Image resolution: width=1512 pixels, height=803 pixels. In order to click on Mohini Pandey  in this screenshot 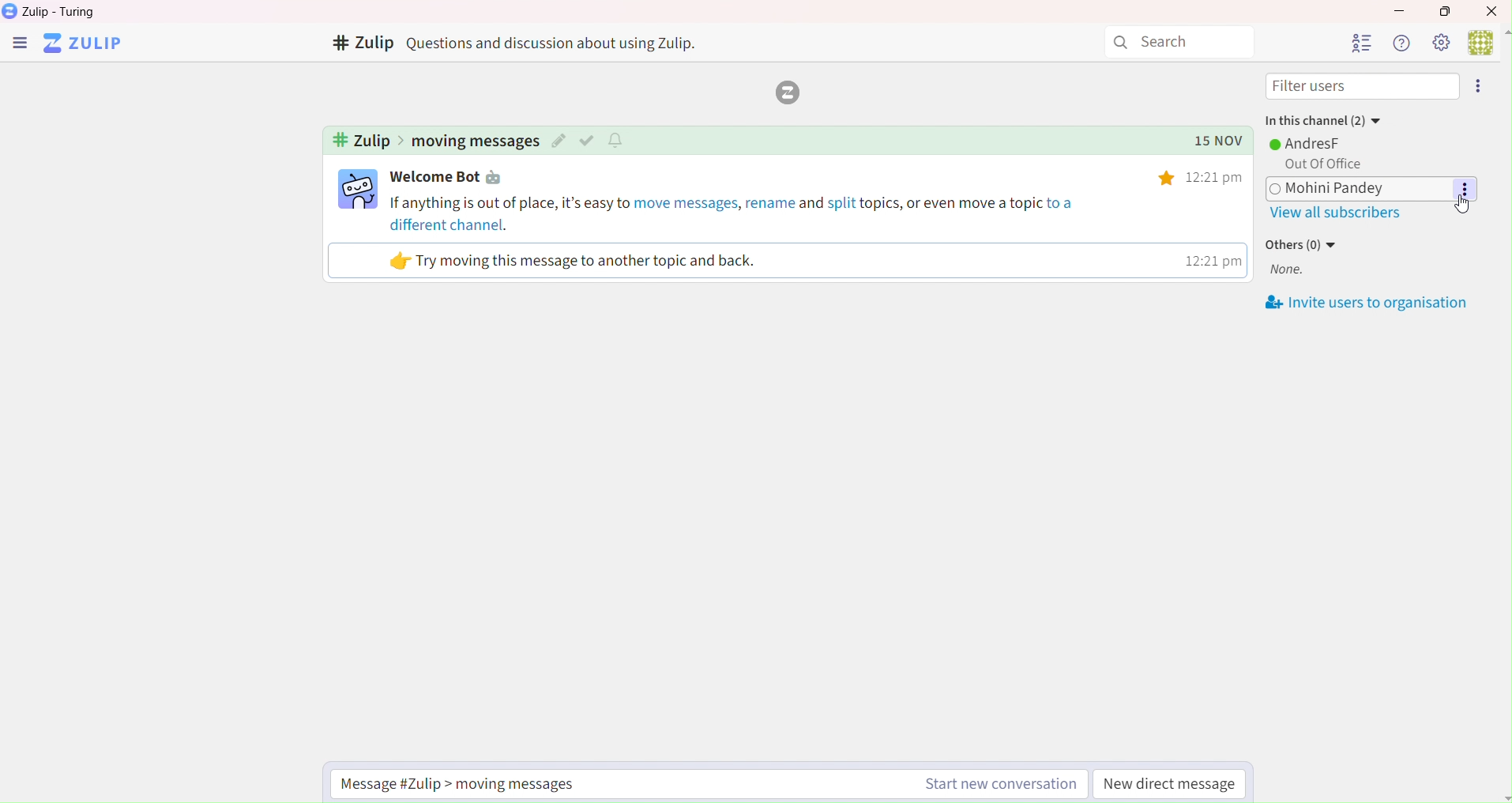, I will do `click(1370, 190)`.